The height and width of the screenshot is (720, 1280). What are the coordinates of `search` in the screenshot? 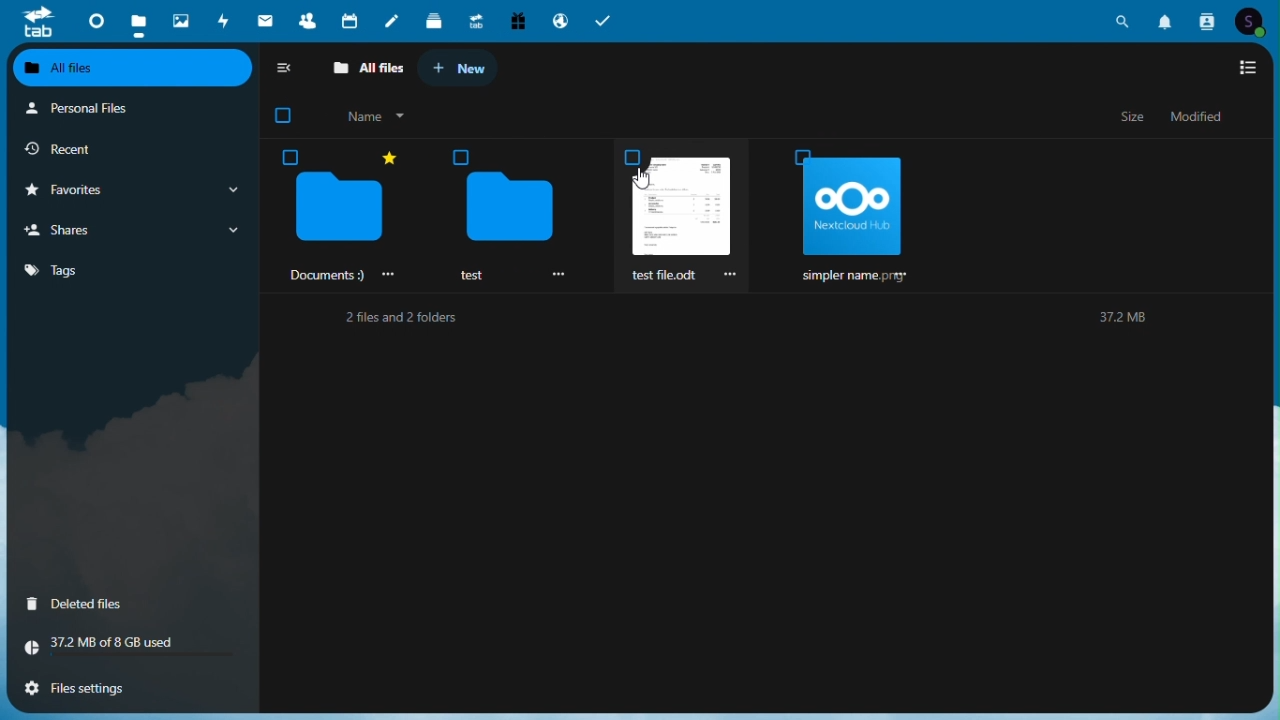 It's located at (1125, 19).